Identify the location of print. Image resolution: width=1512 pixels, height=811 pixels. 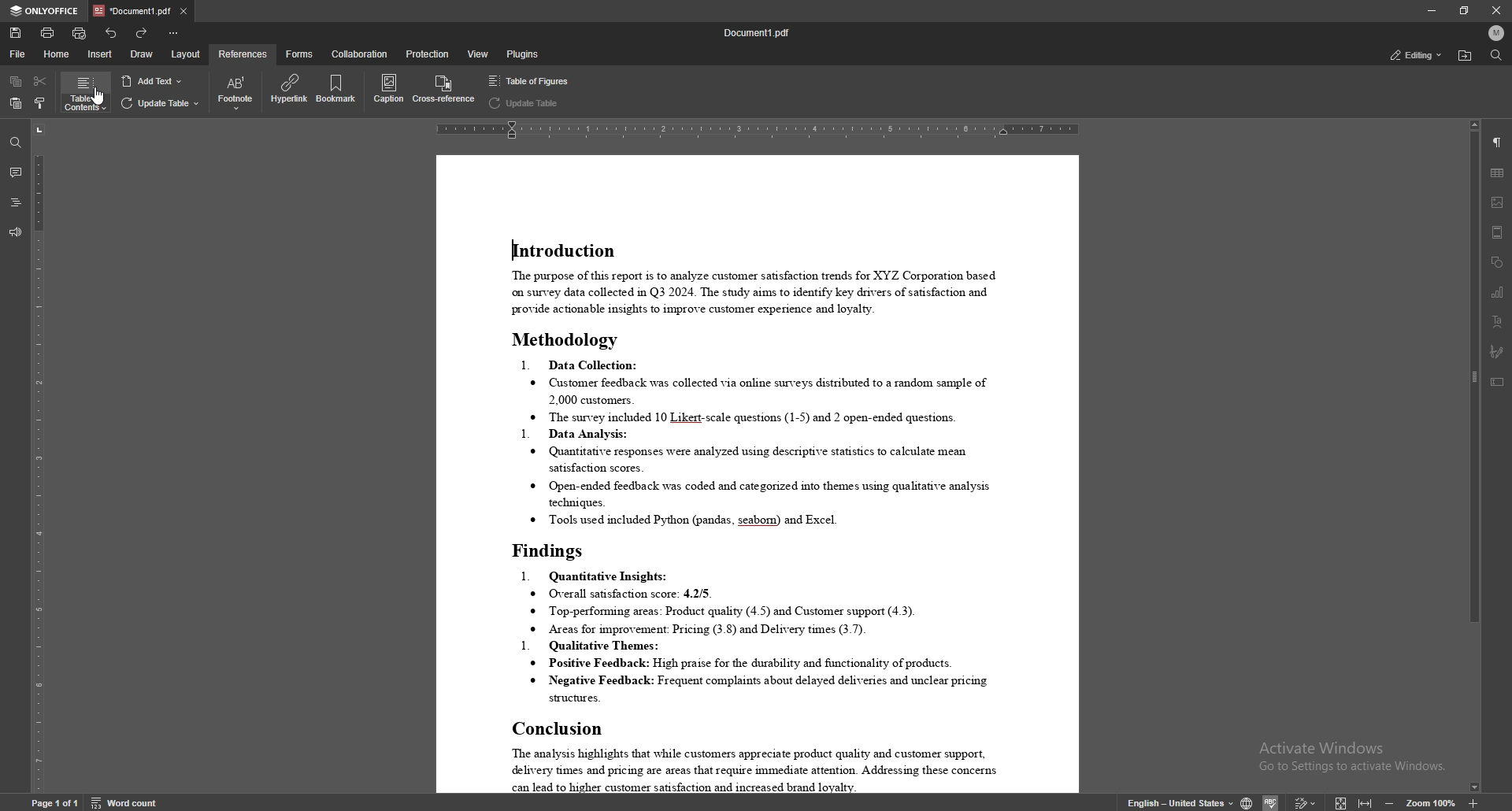
(48, 32).